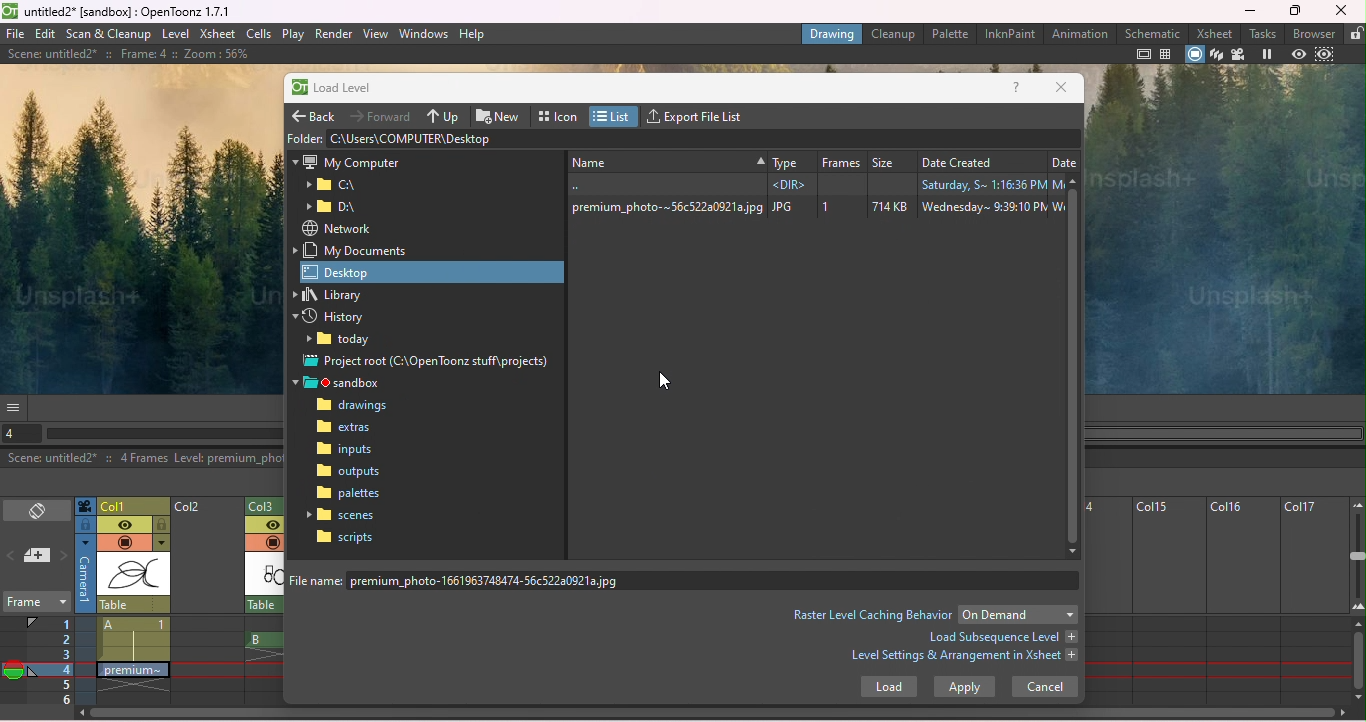 This screenshot has height=722, width=1366. I want to click on View, so click(376, 33).